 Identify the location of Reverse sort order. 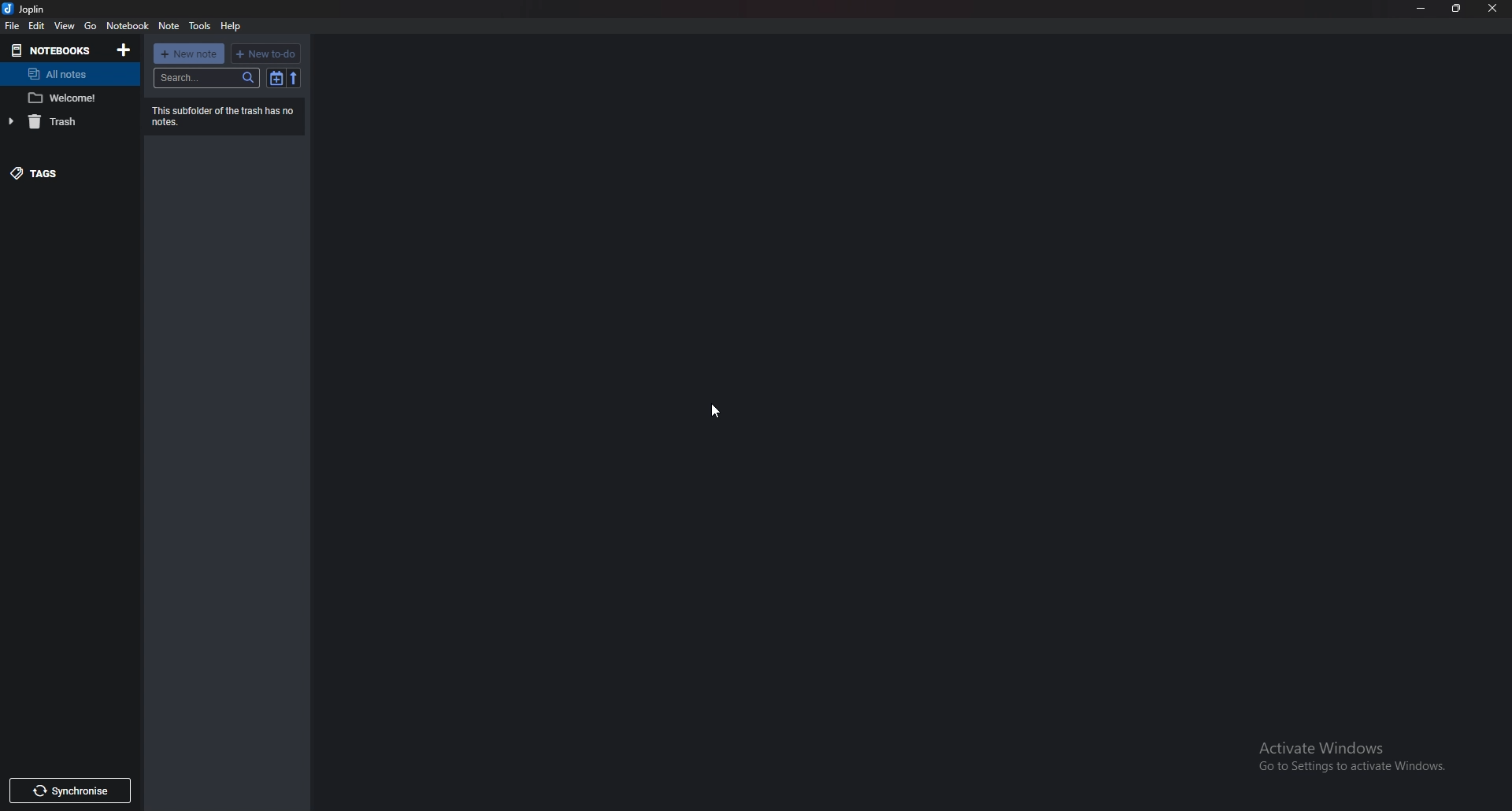
(294, 79).